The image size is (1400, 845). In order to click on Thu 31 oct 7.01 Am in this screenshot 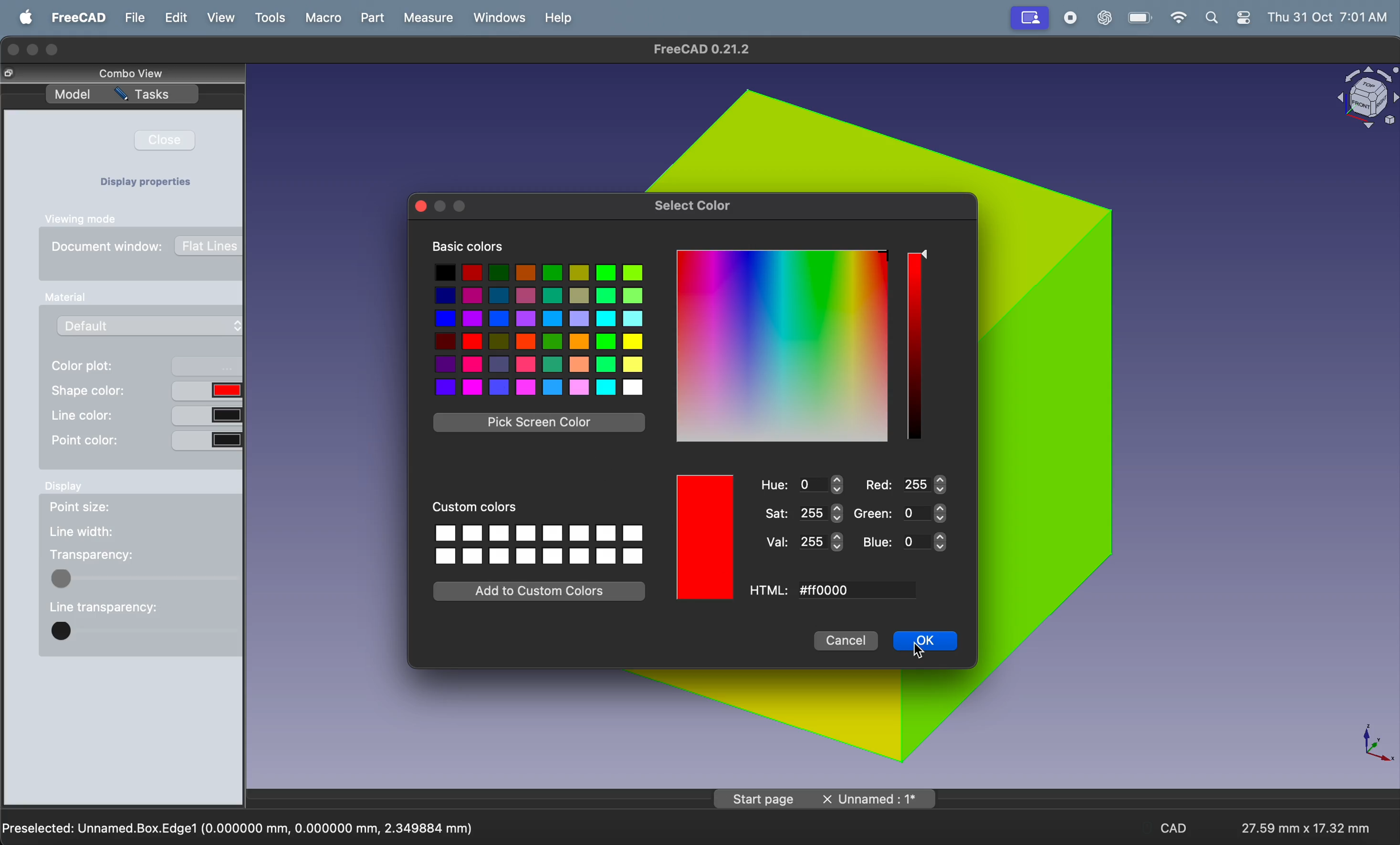, I will do `click(1330, 18)`.